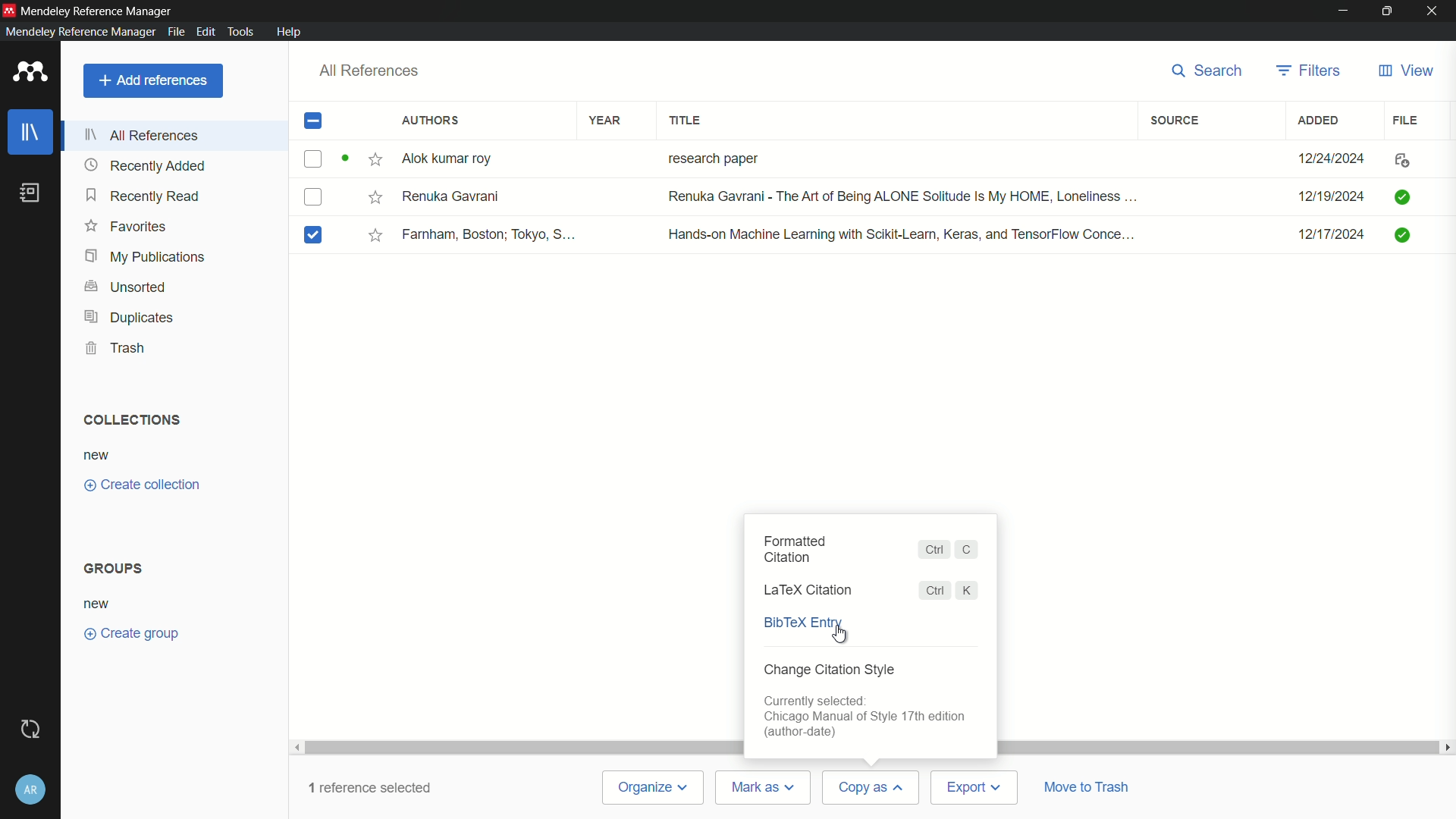 Image resolution: width=1456 pixels, height=819 pixels. Describe the element at coordinates (868, 717) in the screenshot. I see `Currently selected Chicago Manual of Style 17th edition (author-date)` at that location.